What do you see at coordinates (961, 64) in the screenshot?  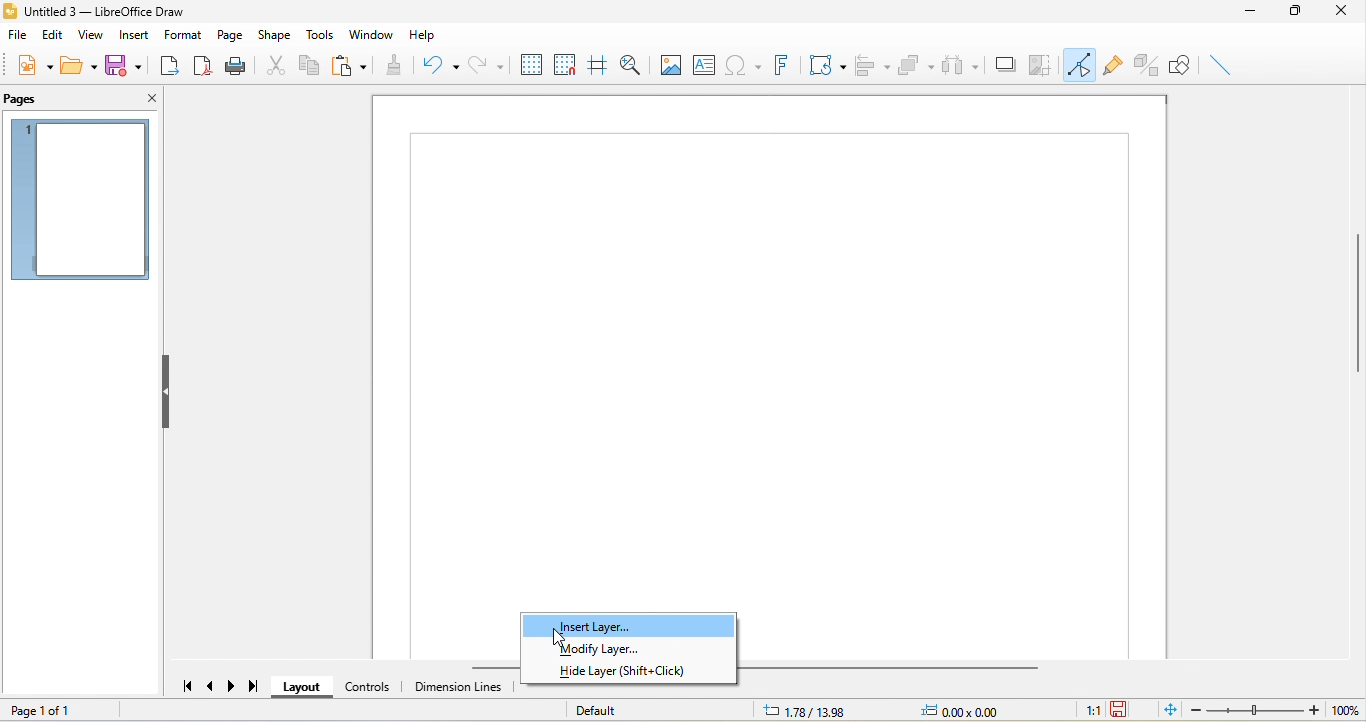 I see `select at least three object to distribute` at bounding box center [961, 64].